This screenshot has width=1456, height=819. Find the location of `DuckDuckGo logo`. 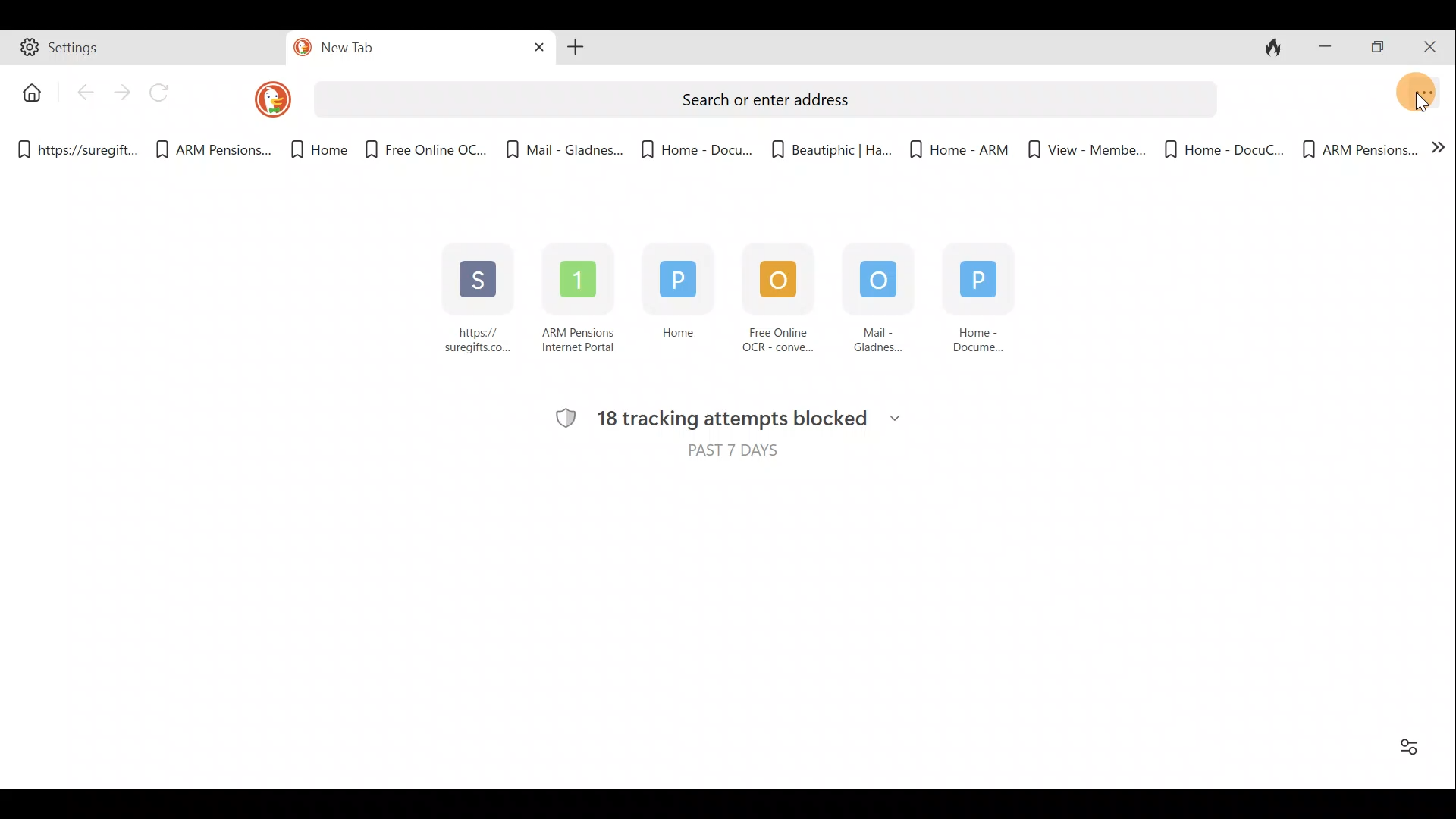

DuckDuckGo logo is located at coordinates (261, 99).